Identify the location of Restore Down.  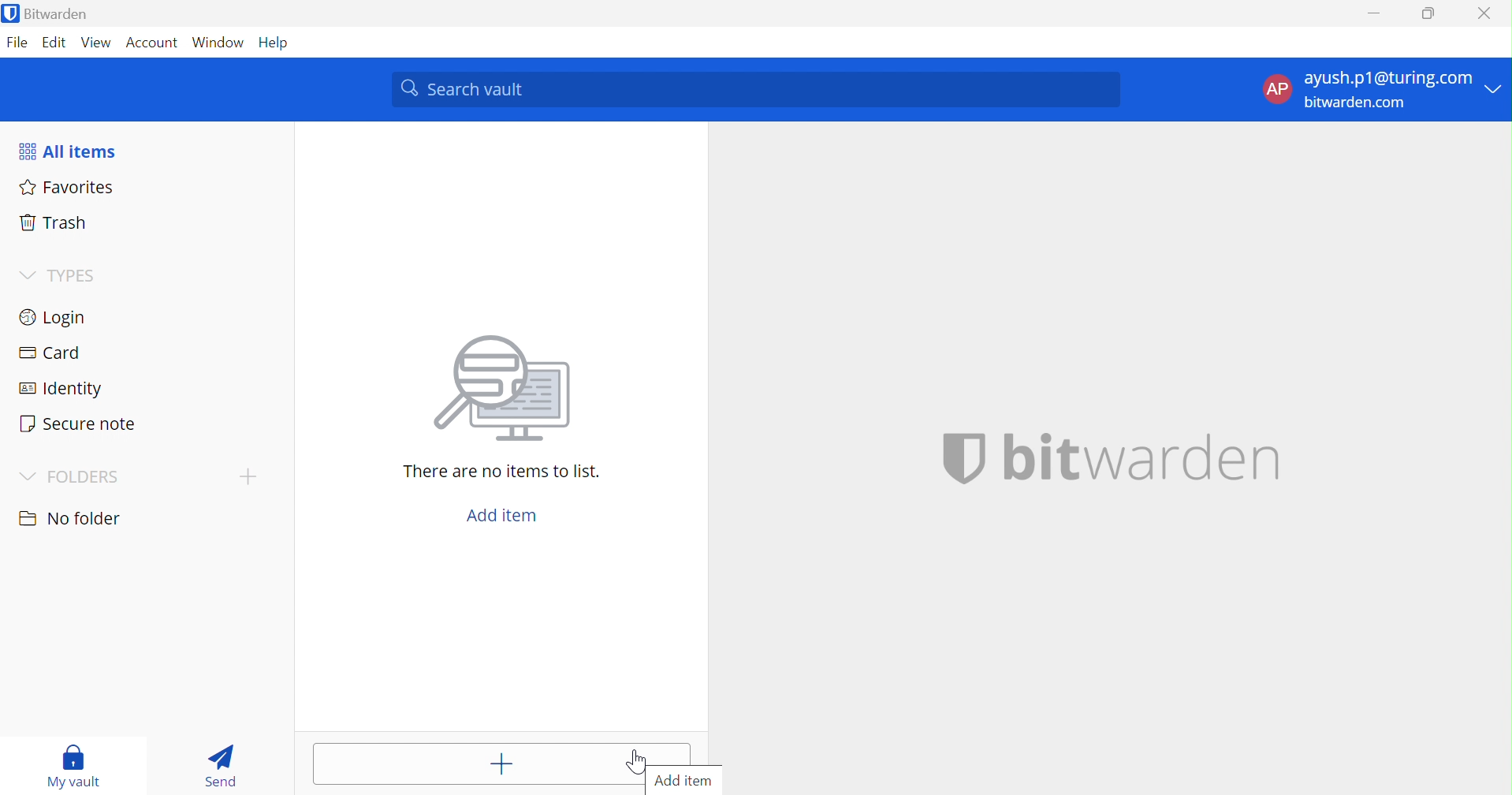
(1428, 13).